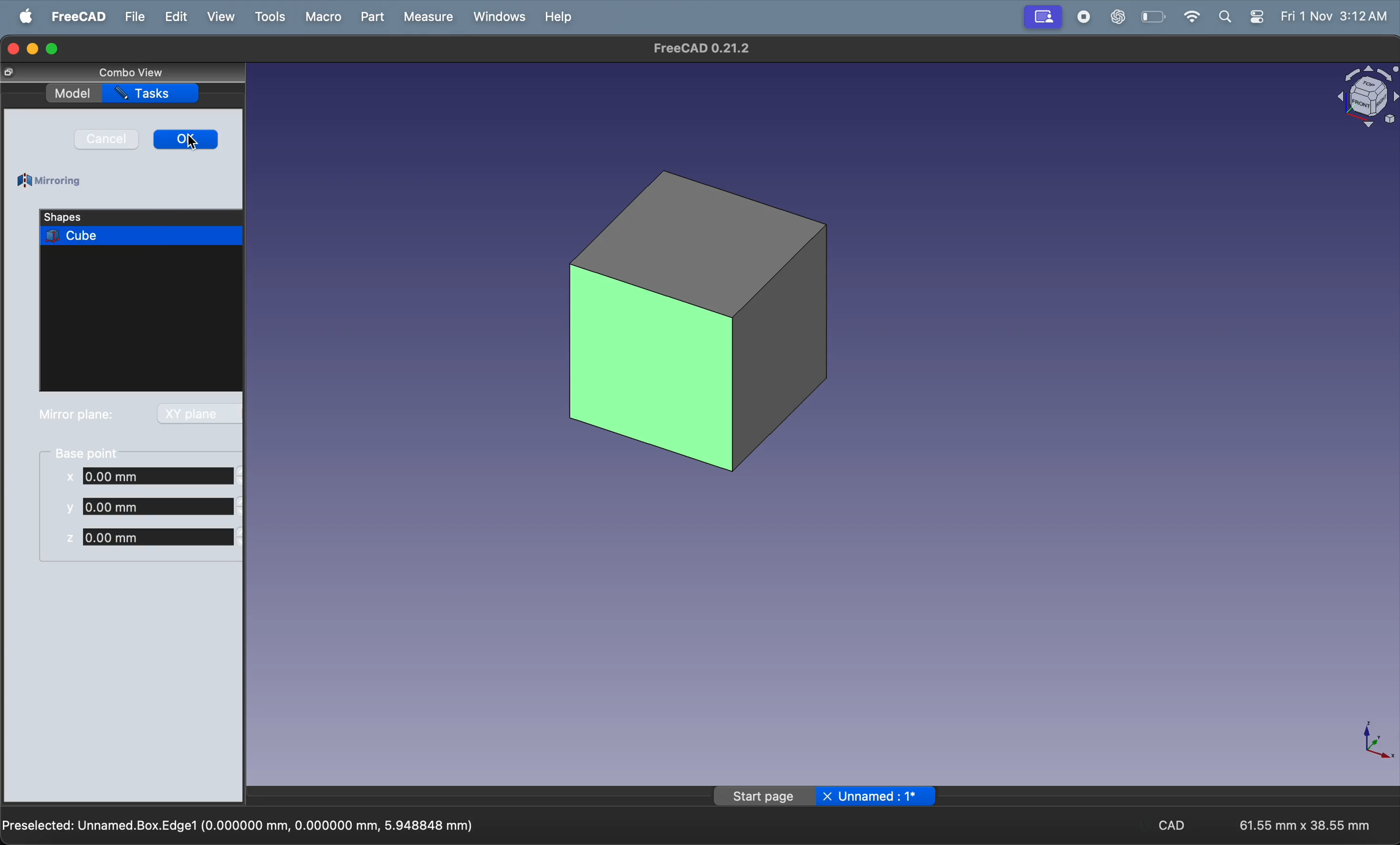 The height and width of the screenshot is (845, 1400). What do you see at coordinates (193, 144) in the screenshot?
I see `cursor` at bounding box center [193, 144].